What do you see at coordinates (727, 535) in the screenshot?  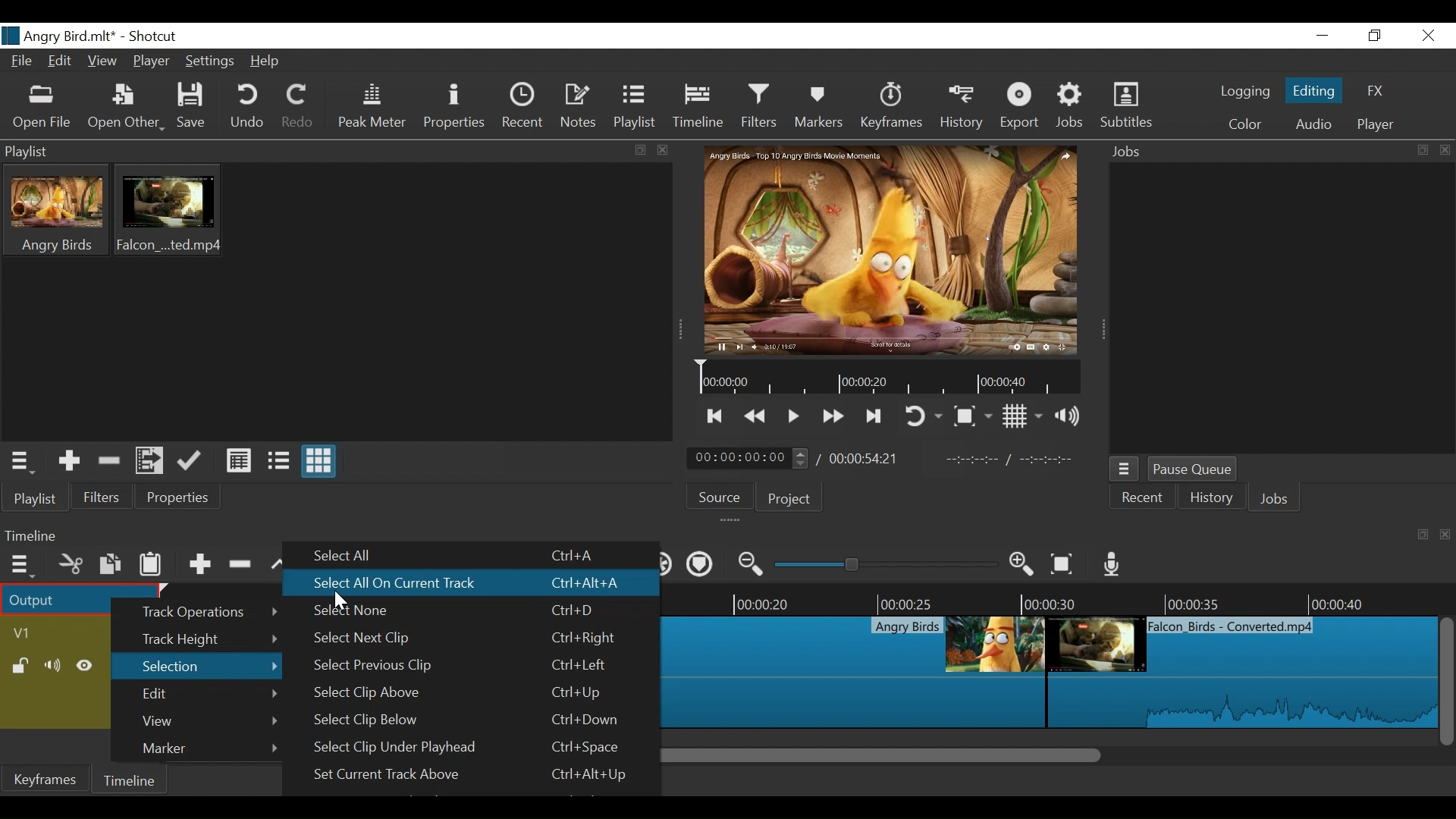 I see `Timeline` at bounding box center [727, 535].